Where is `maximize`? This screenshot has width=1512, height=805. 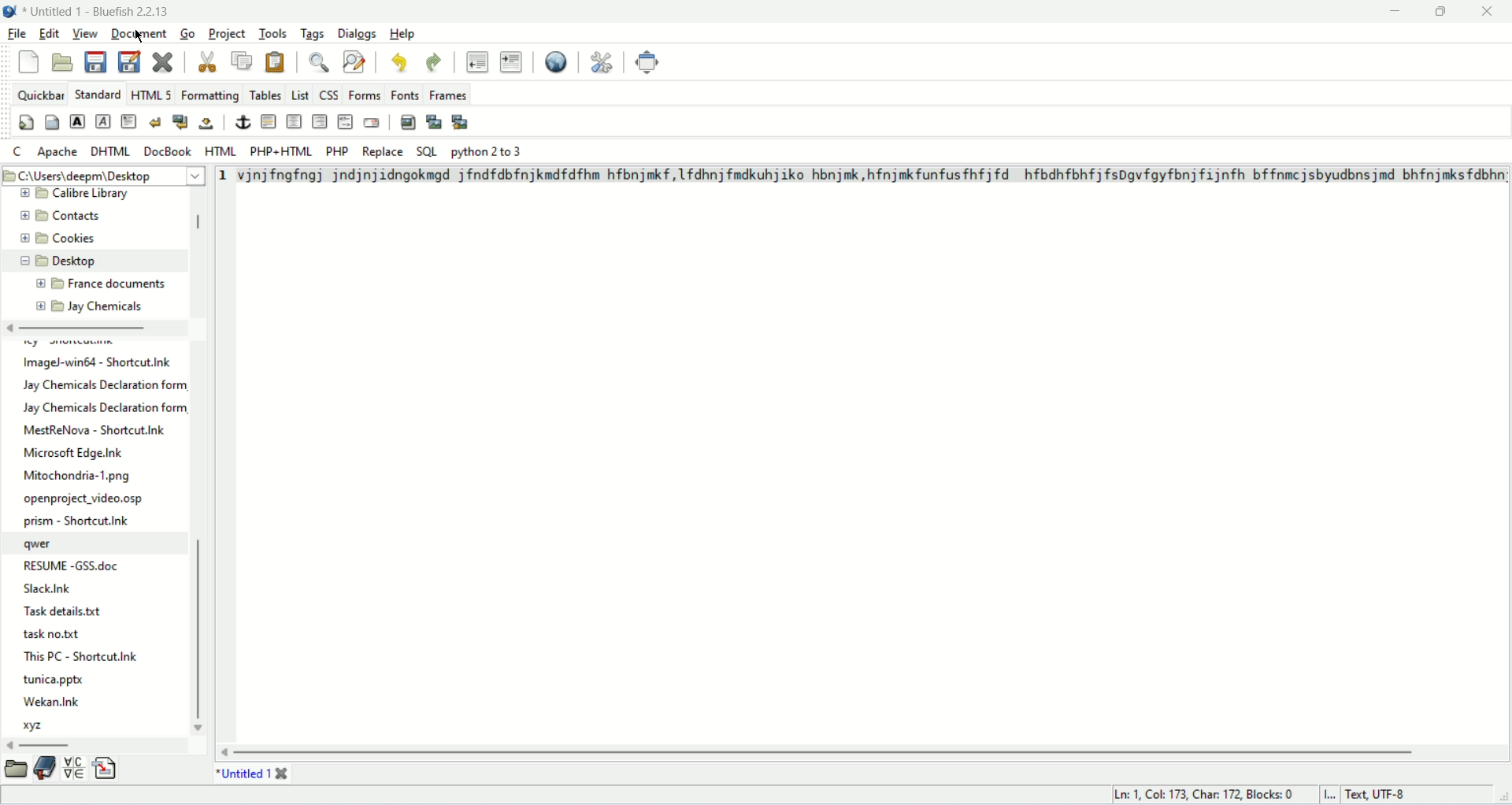
maximize is located at coordinates (1444, 10).